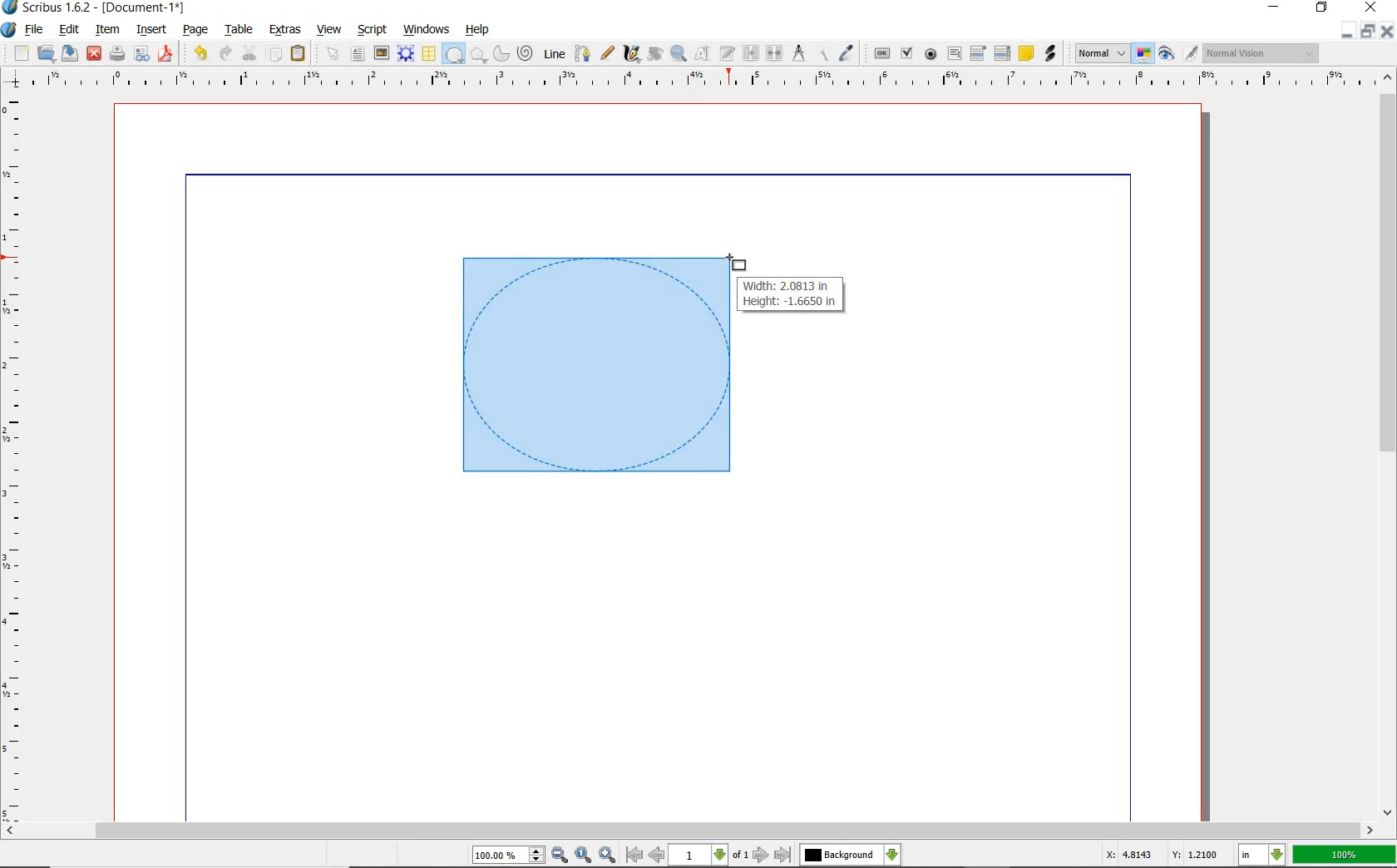  I want to click on TOGGLE COLOR MANAGEMENT SYSTEM, so click(1144, 53).